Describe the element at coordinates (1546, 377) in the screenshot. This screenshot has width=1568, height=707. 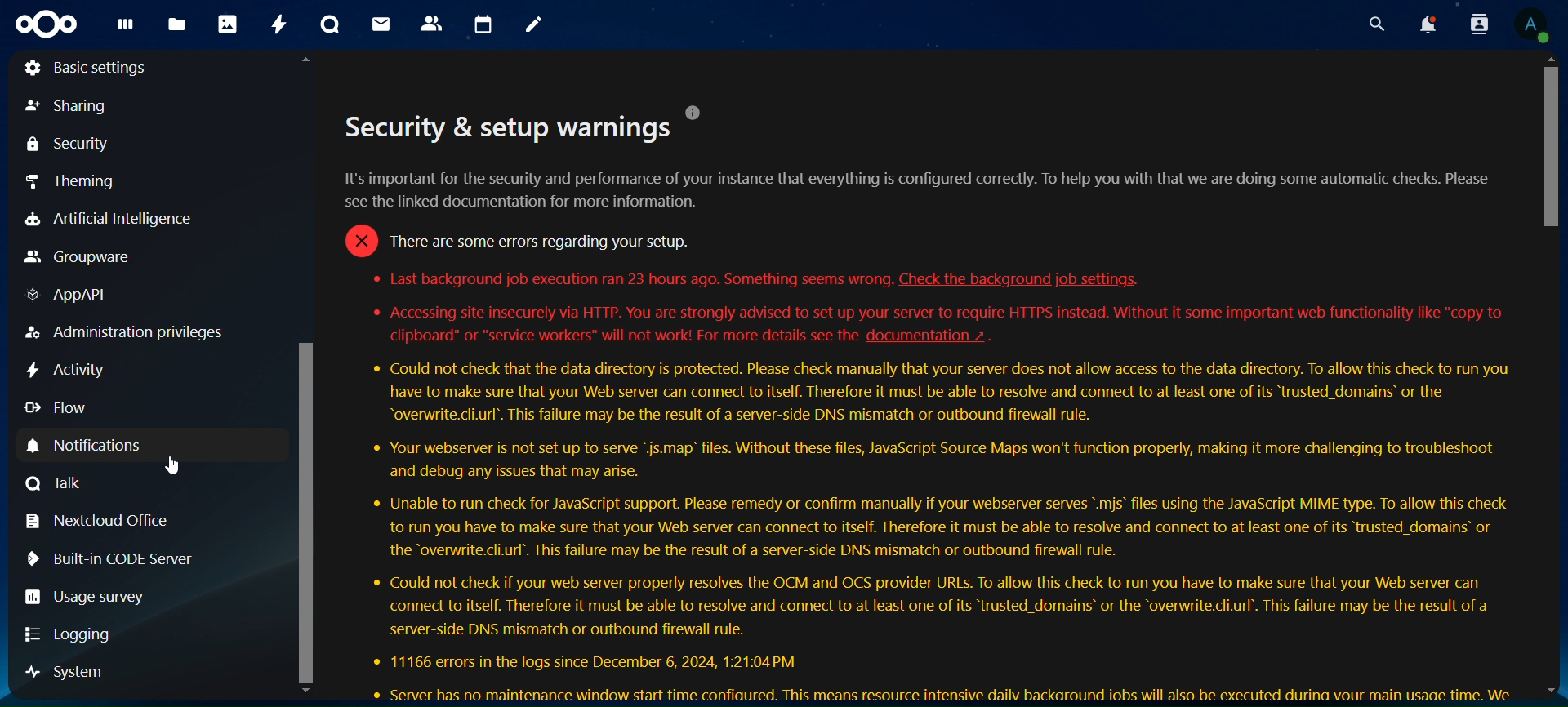
I see `Scrollbar` at that location.